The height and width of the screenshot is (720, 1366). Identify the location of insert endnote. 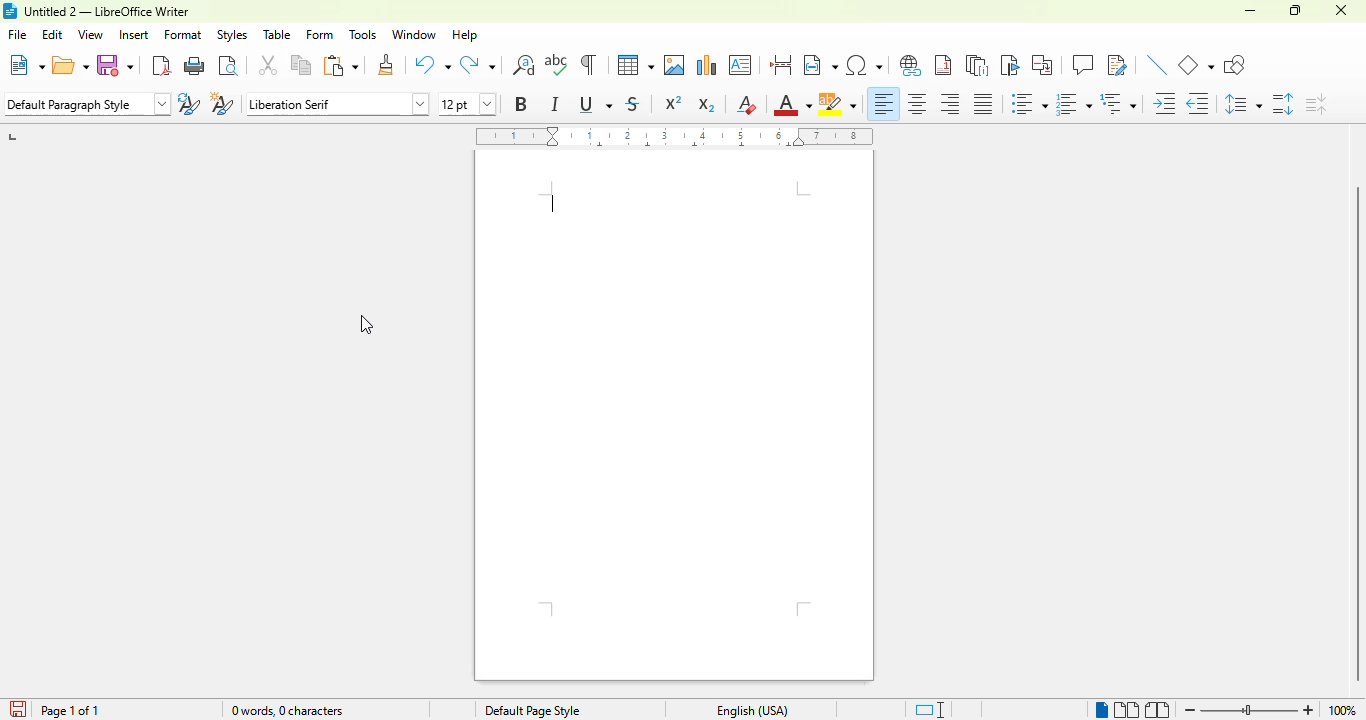
(978, 66).